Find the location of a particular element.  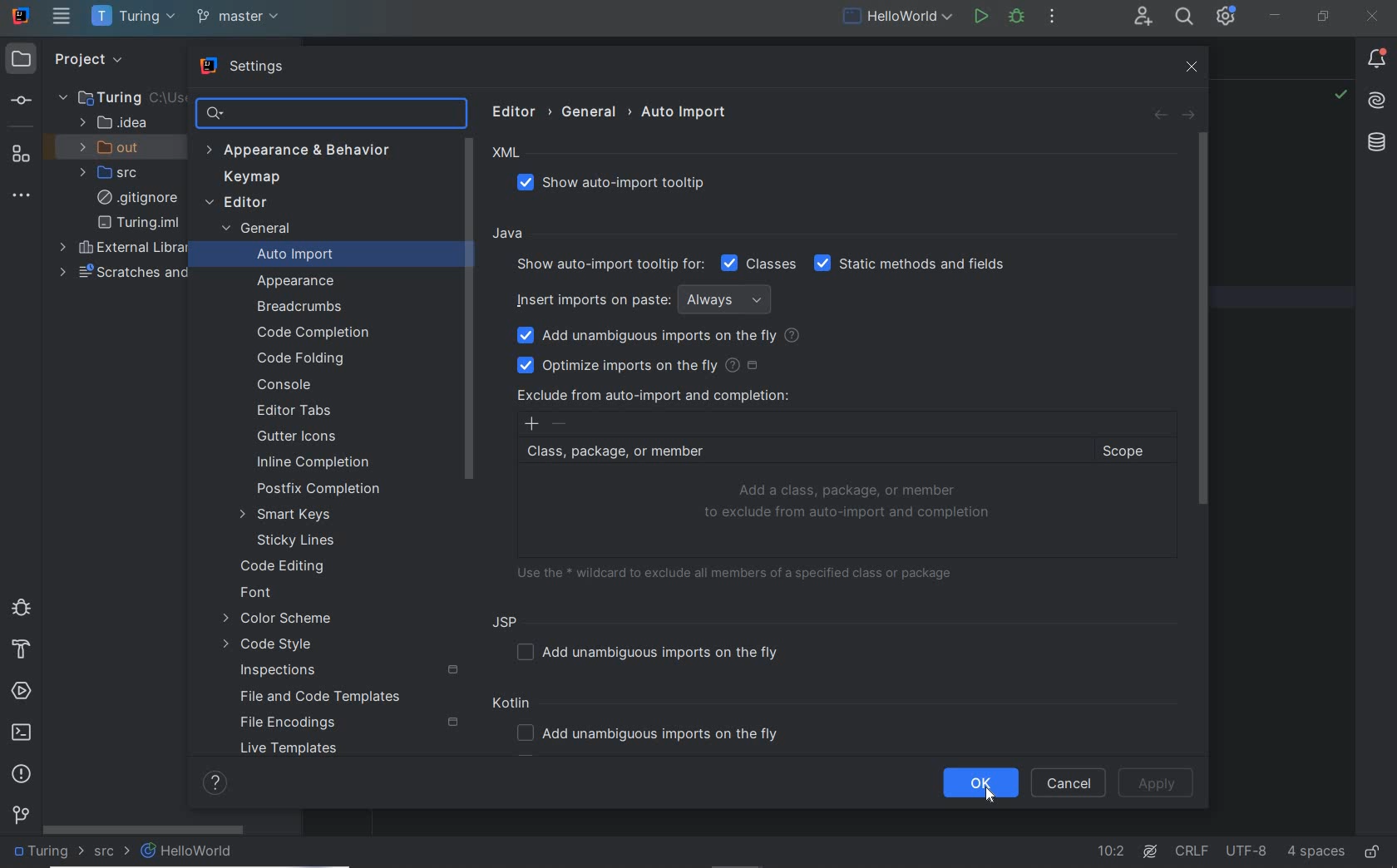

RUN/DEBUG CONFICURATIONS is located at coordinates (898, 16).